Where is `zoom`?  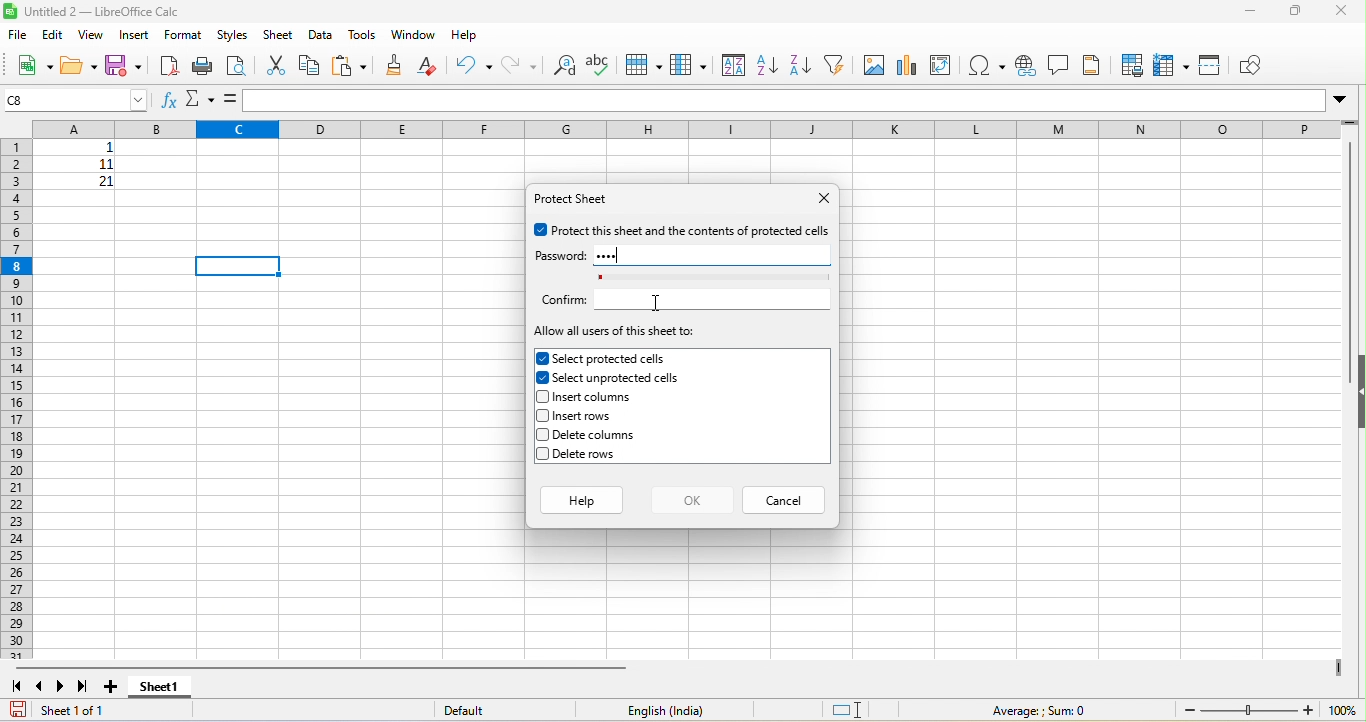
zoom is located at coordinates (1270, 711).